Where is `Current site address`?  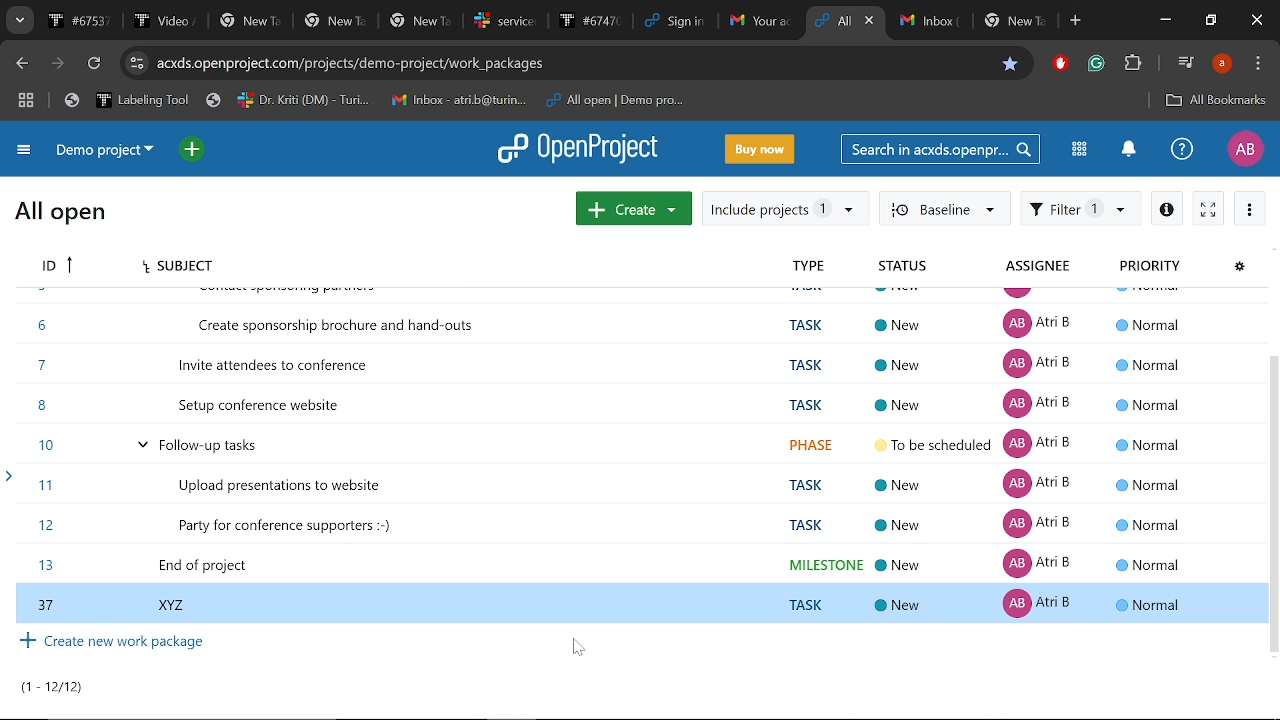 Current site address is located at coordinates (574, 62).